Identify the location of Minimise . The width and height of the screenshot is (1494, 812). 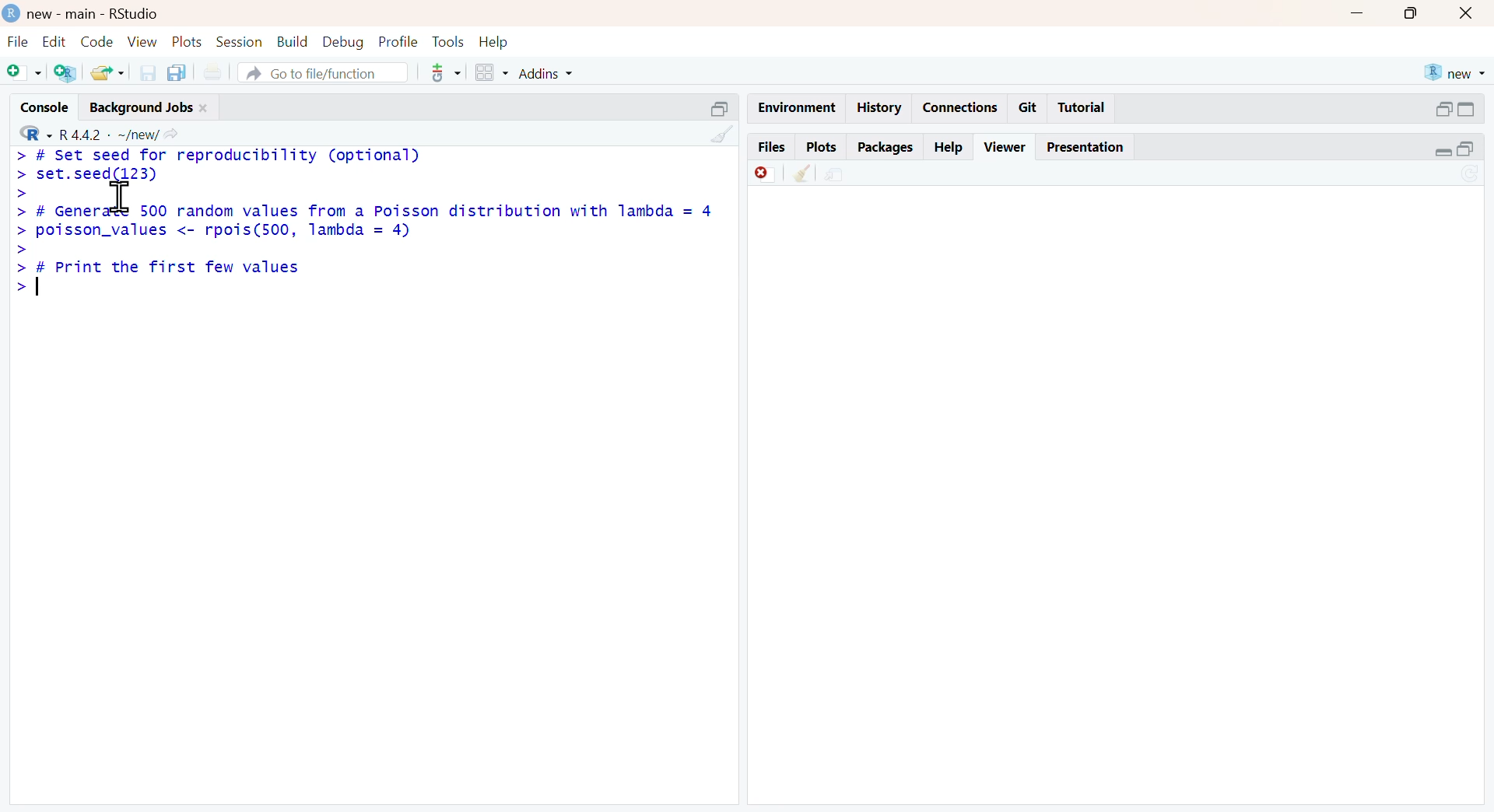
(1360, 12).